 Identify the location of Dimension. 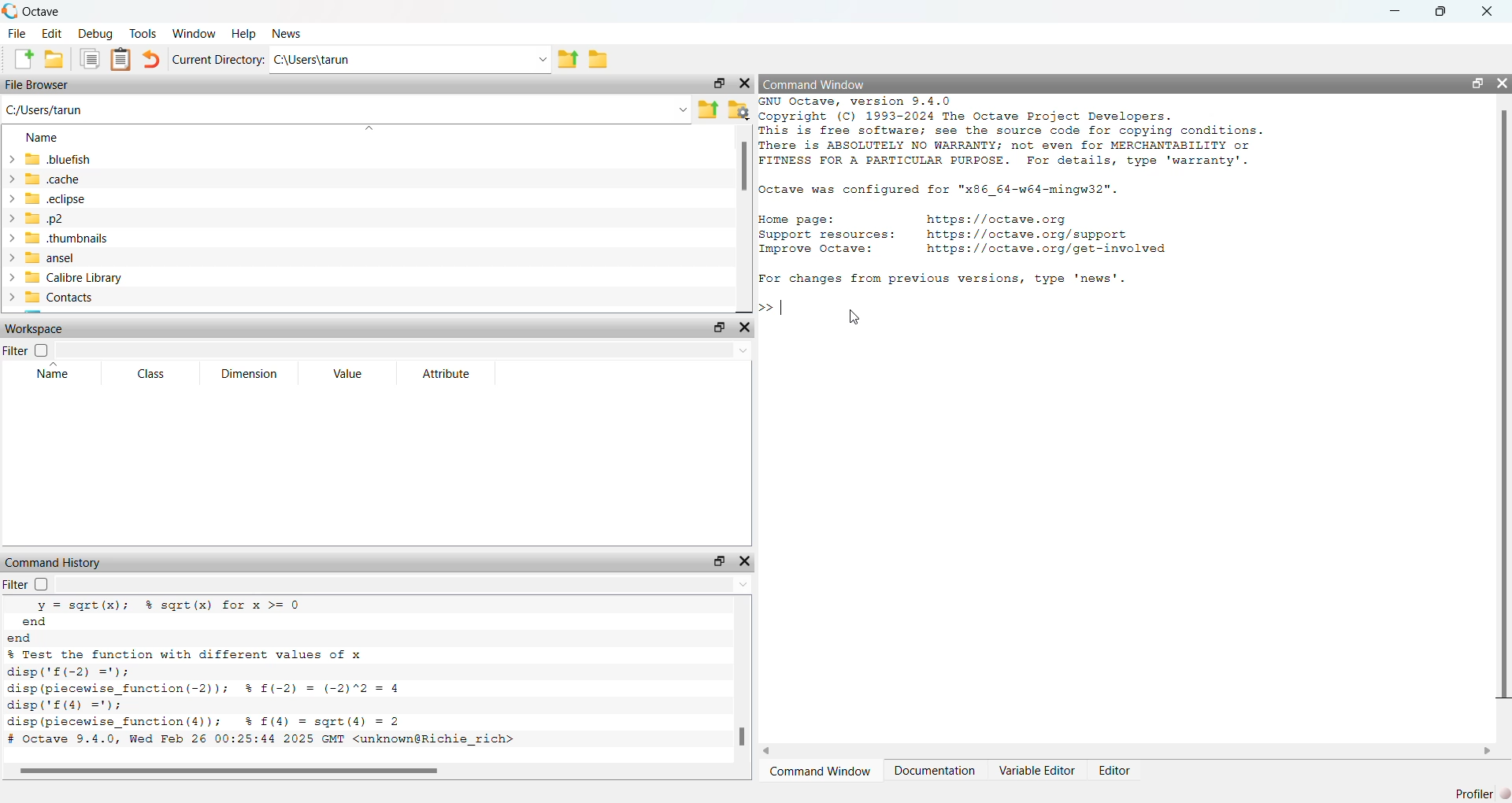
(251, 373).